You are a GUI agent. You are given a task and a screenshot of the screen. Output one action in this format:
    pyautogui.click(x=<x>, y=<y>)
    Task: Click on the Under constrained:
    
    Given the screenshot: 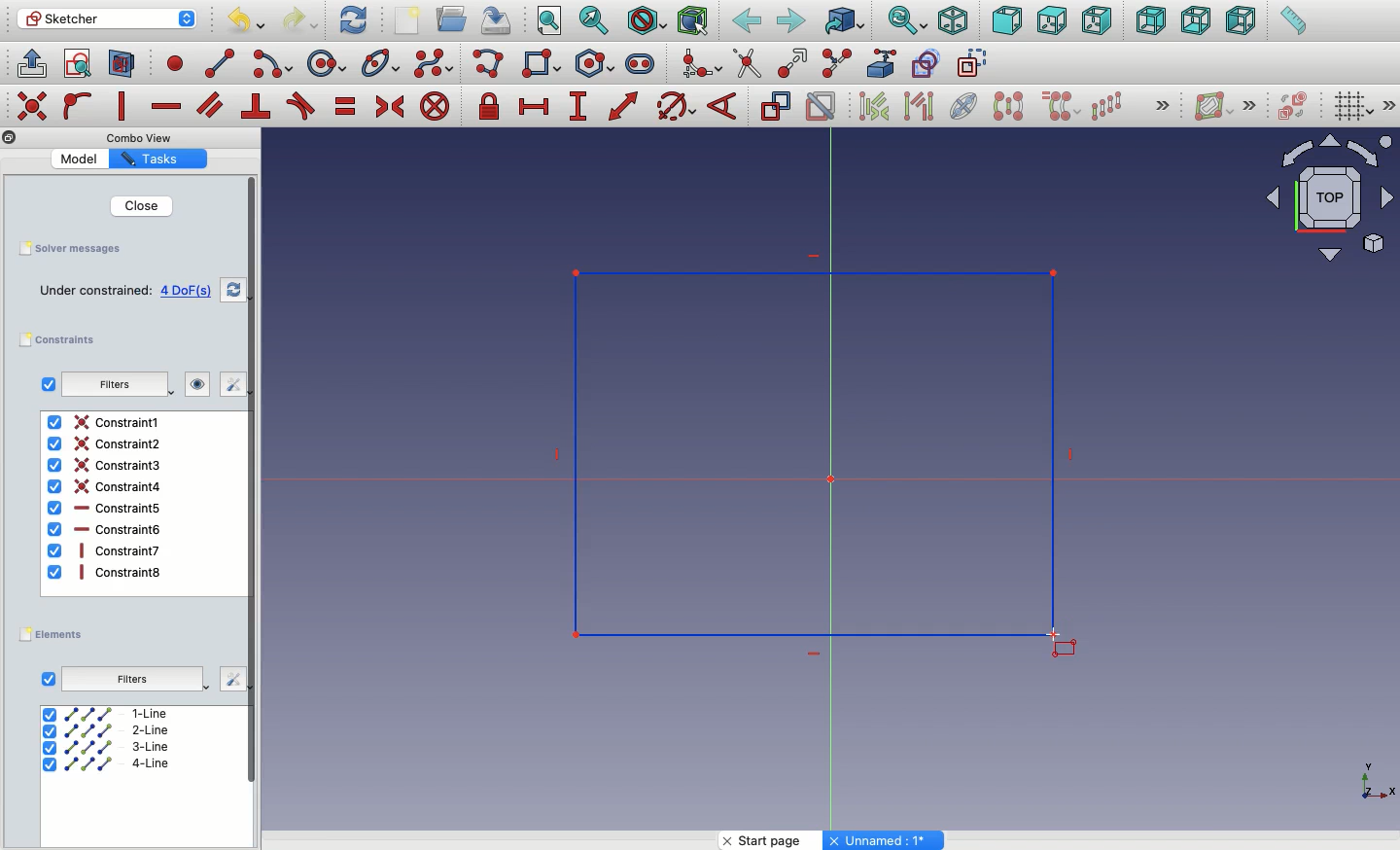 What is the action you would take?
    pyautogui.click(x=95, y=292)
    